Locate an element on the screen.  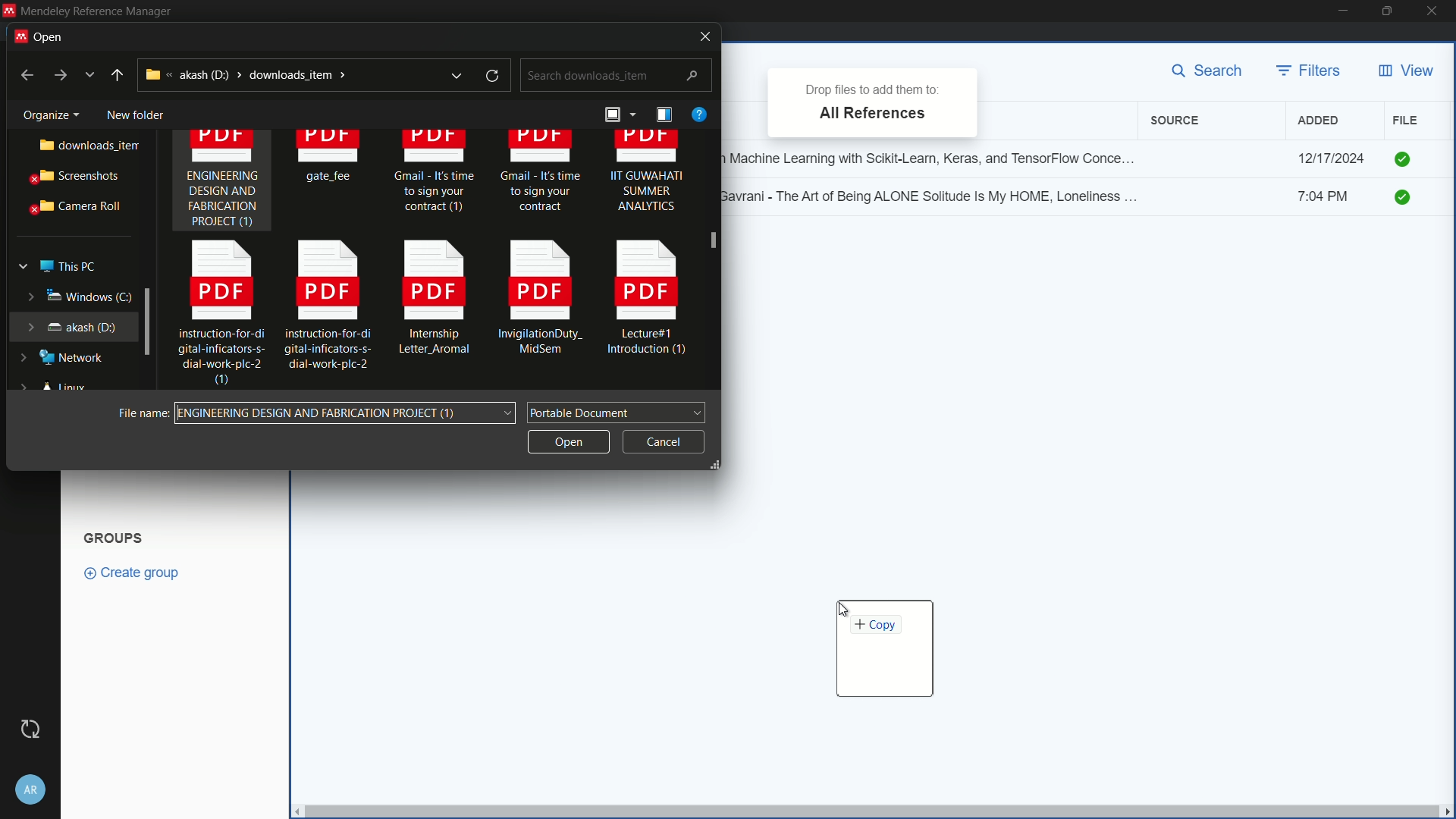
more options is located at coordinates (91, 75).